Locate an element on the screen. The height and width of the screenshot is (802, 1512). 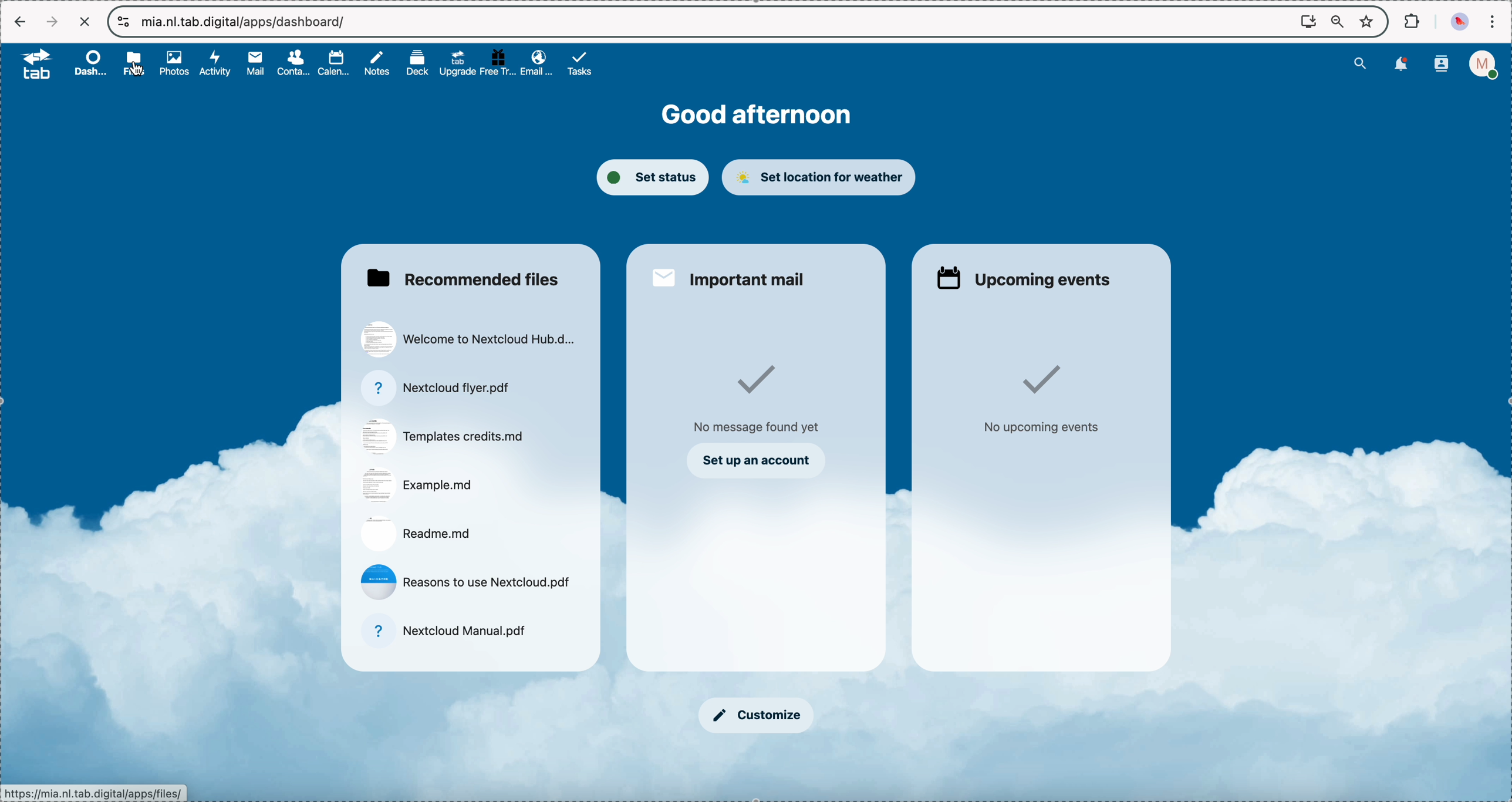
click on files is located at coordinates (137, 63).